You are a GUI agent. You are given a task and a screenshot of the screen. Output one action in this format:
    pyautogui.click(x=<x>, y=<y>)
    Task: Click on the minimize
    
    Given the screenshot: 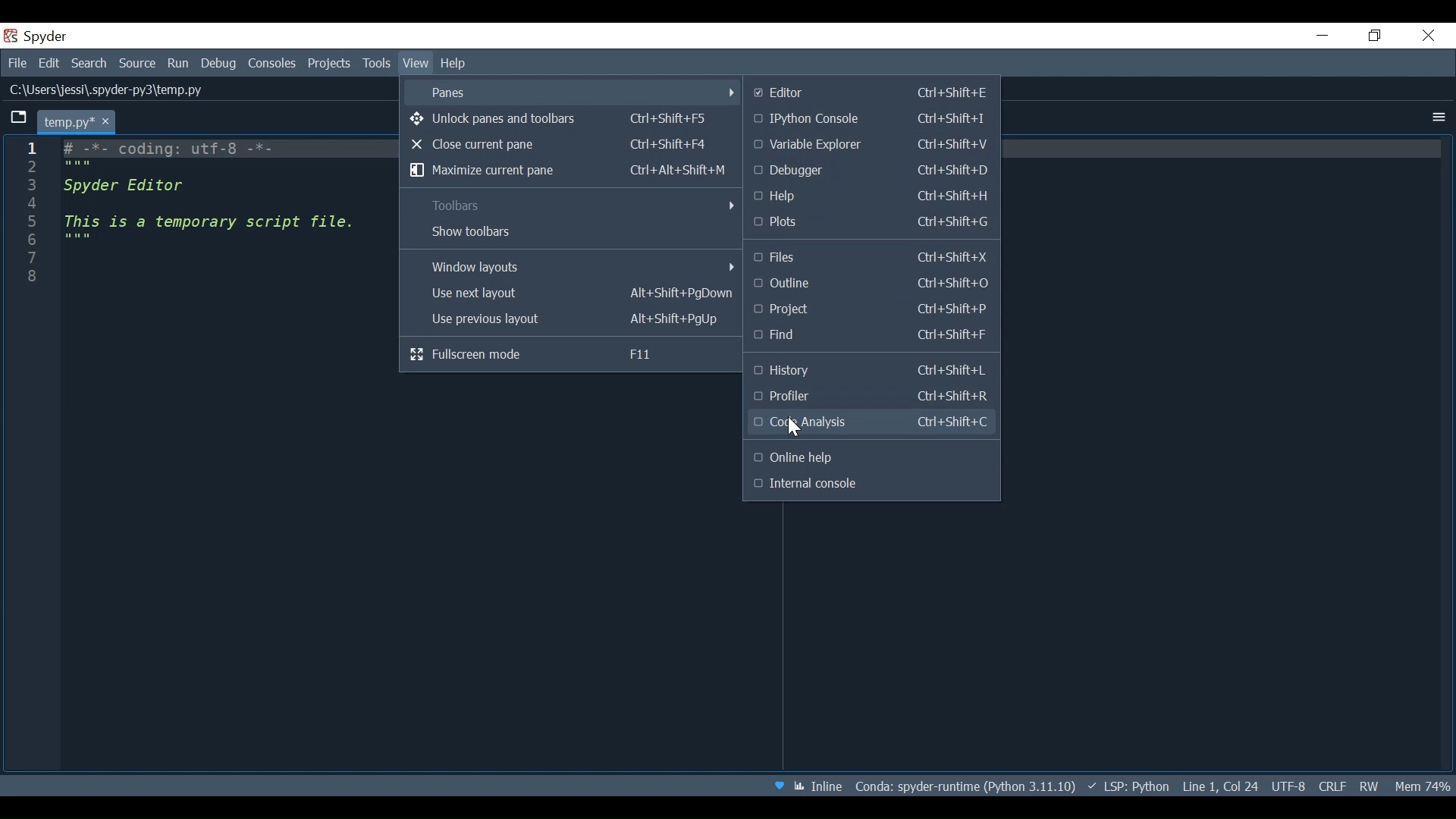 What is the action you would take?
    pyautogui.click(x=1321, y=35)
    